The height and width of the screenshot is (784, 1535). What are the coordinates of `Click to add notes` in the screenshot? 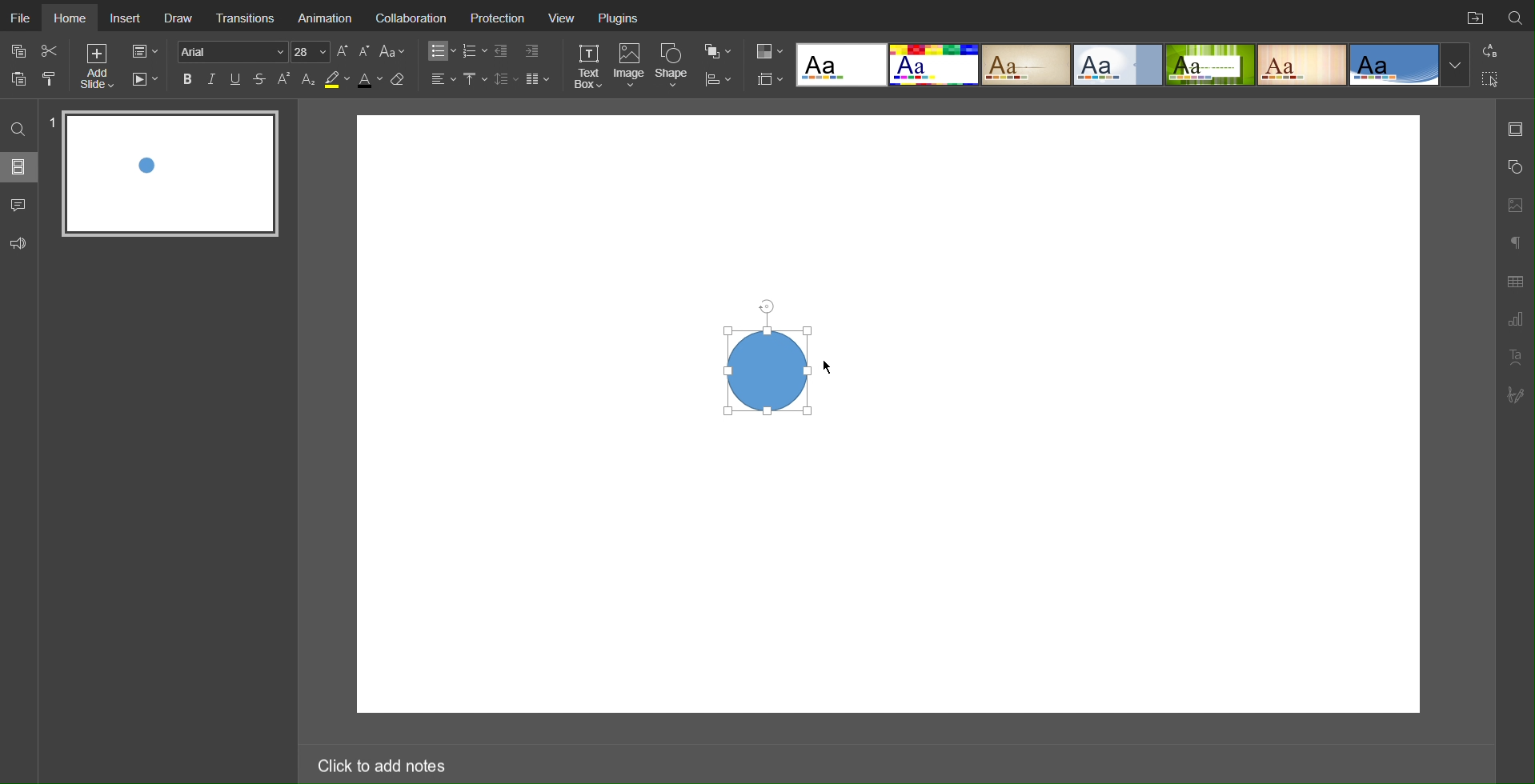 It's located at (380, 762).